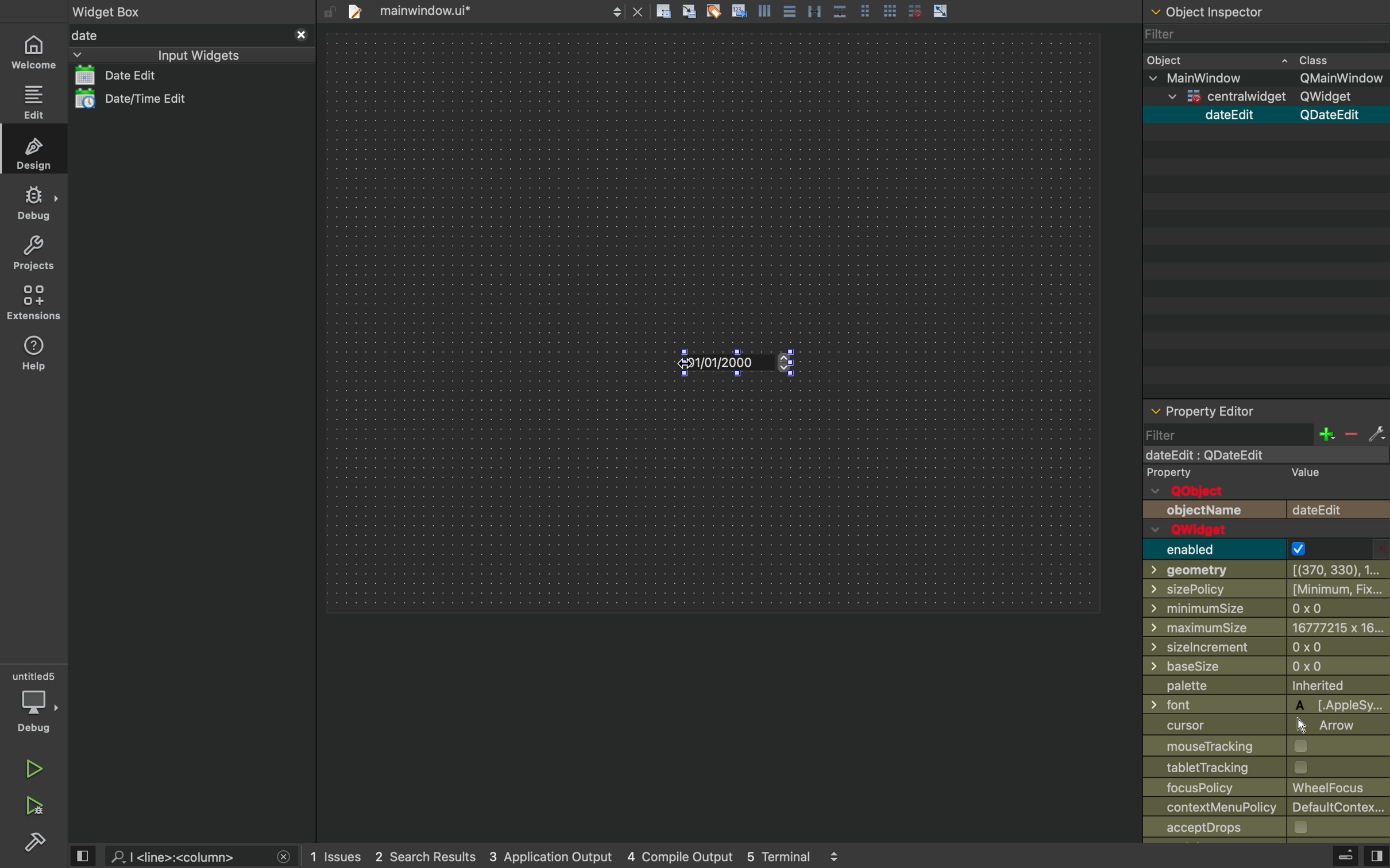 The image size is (1390, 868). What do you see at coordinates (1241, 472) in the screenshot?
I see `property` at bounding box center [1241, 472].